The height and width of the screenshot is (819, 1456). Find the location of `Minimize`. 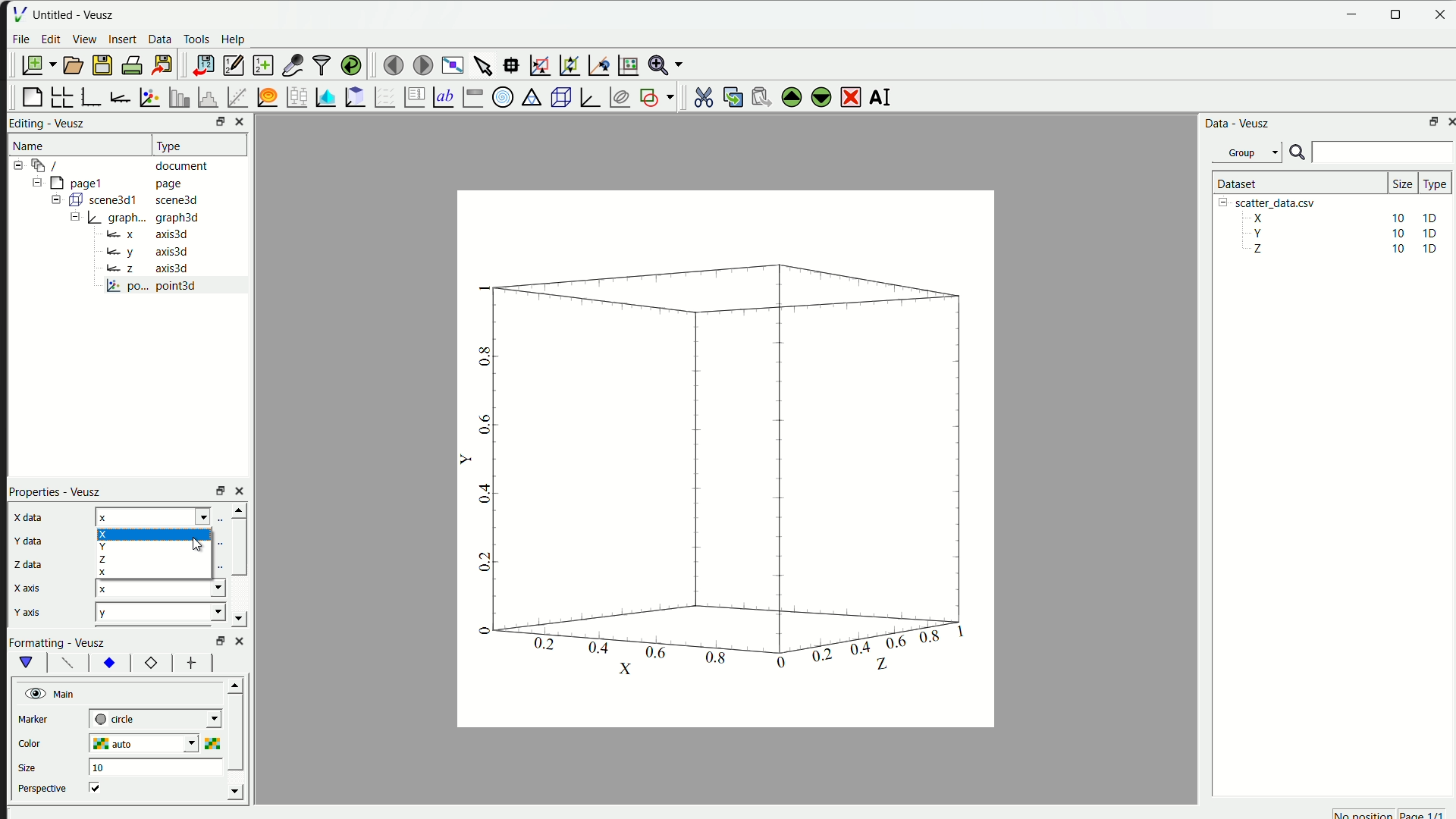

Minimize is located at coordinates (1353, 14).